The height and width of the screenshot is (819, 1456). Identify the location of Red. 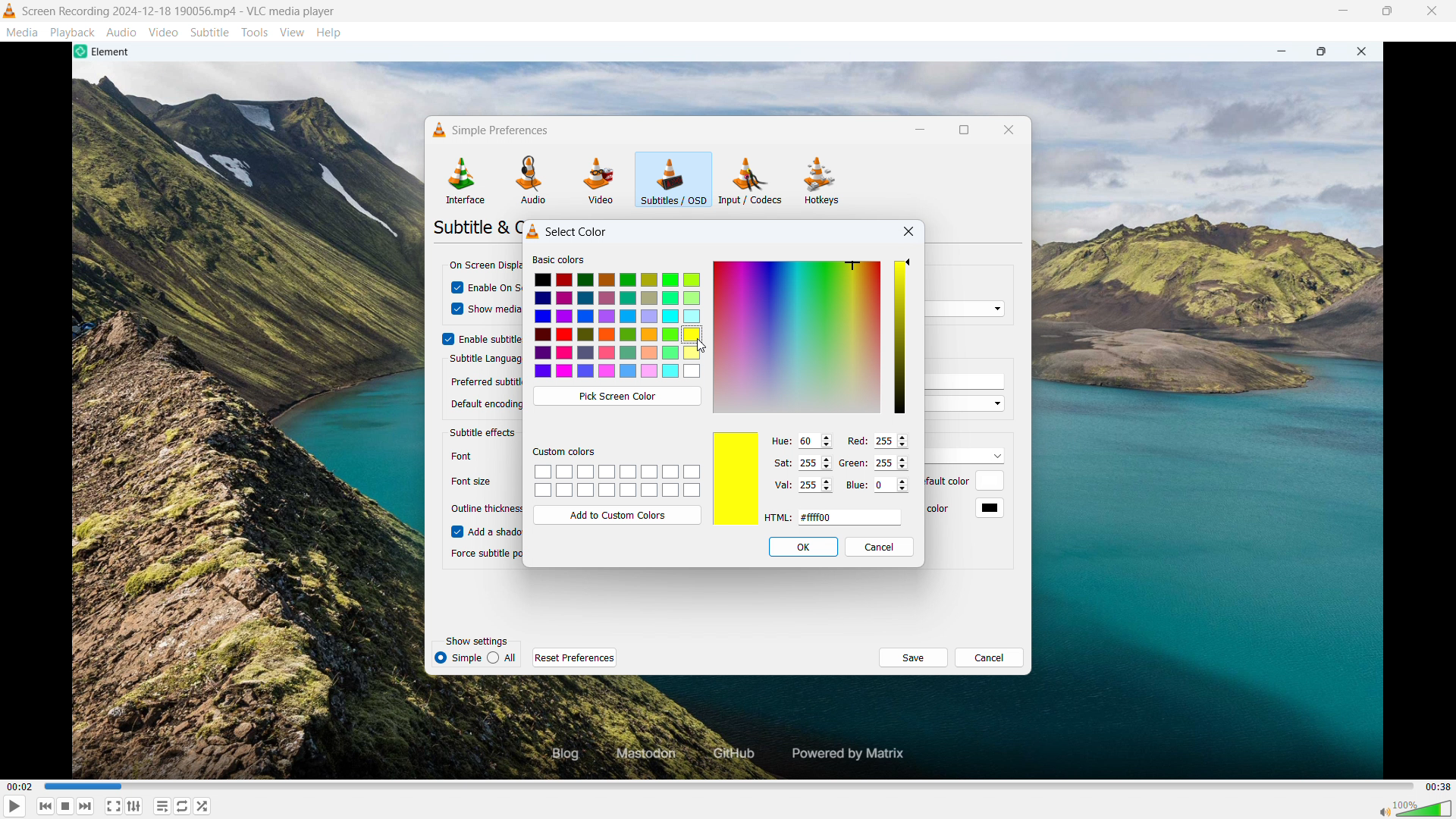
(855, 441).